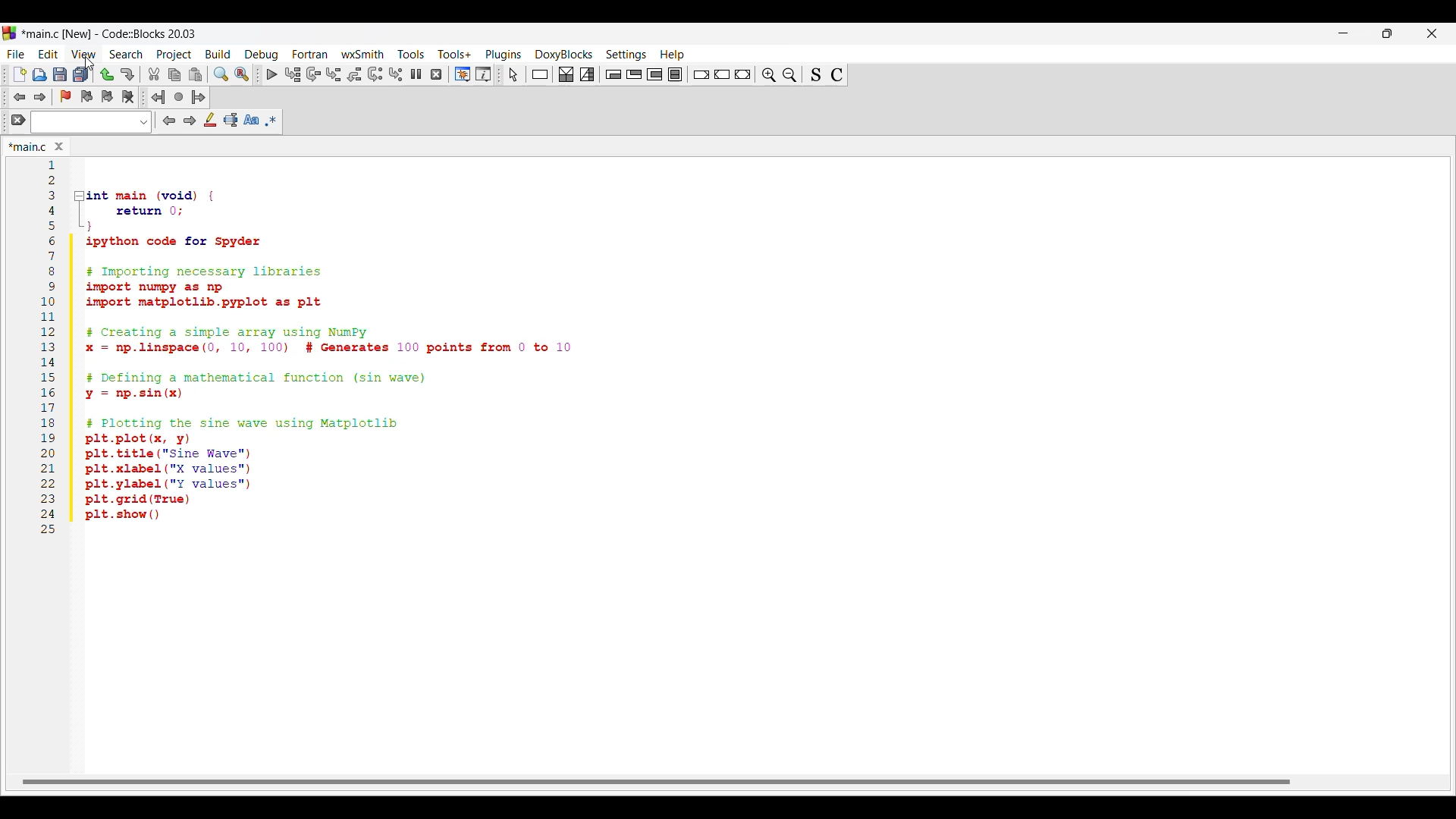 The image size is (1456, 819). Describe the element at coordinates (790, 74) in the screenshot. I see `Zoom out` at that location.